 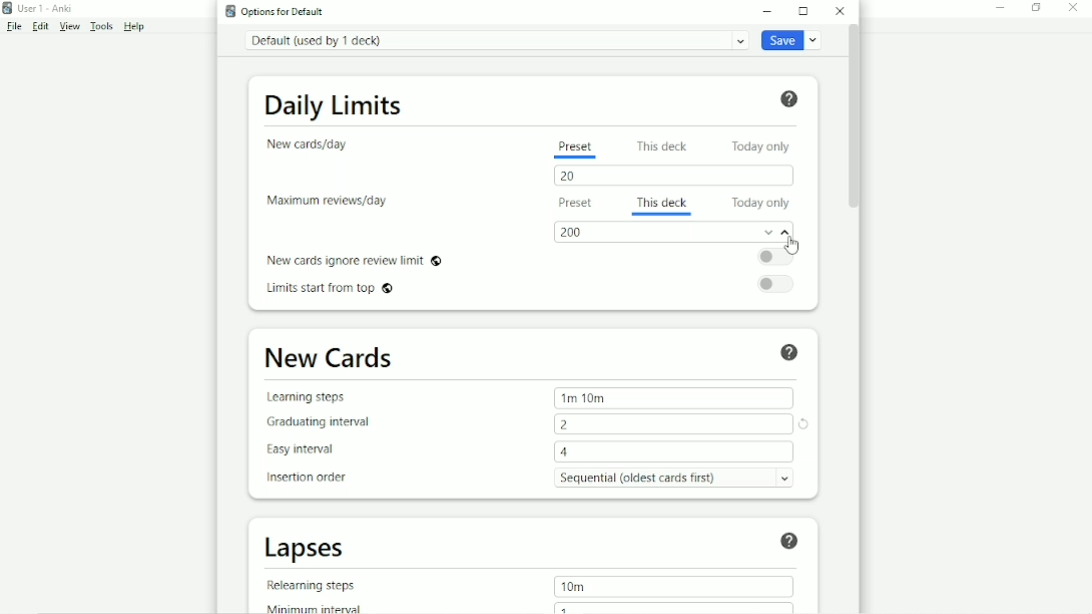 I want to click on New Cards, so click(x=330, y=358).